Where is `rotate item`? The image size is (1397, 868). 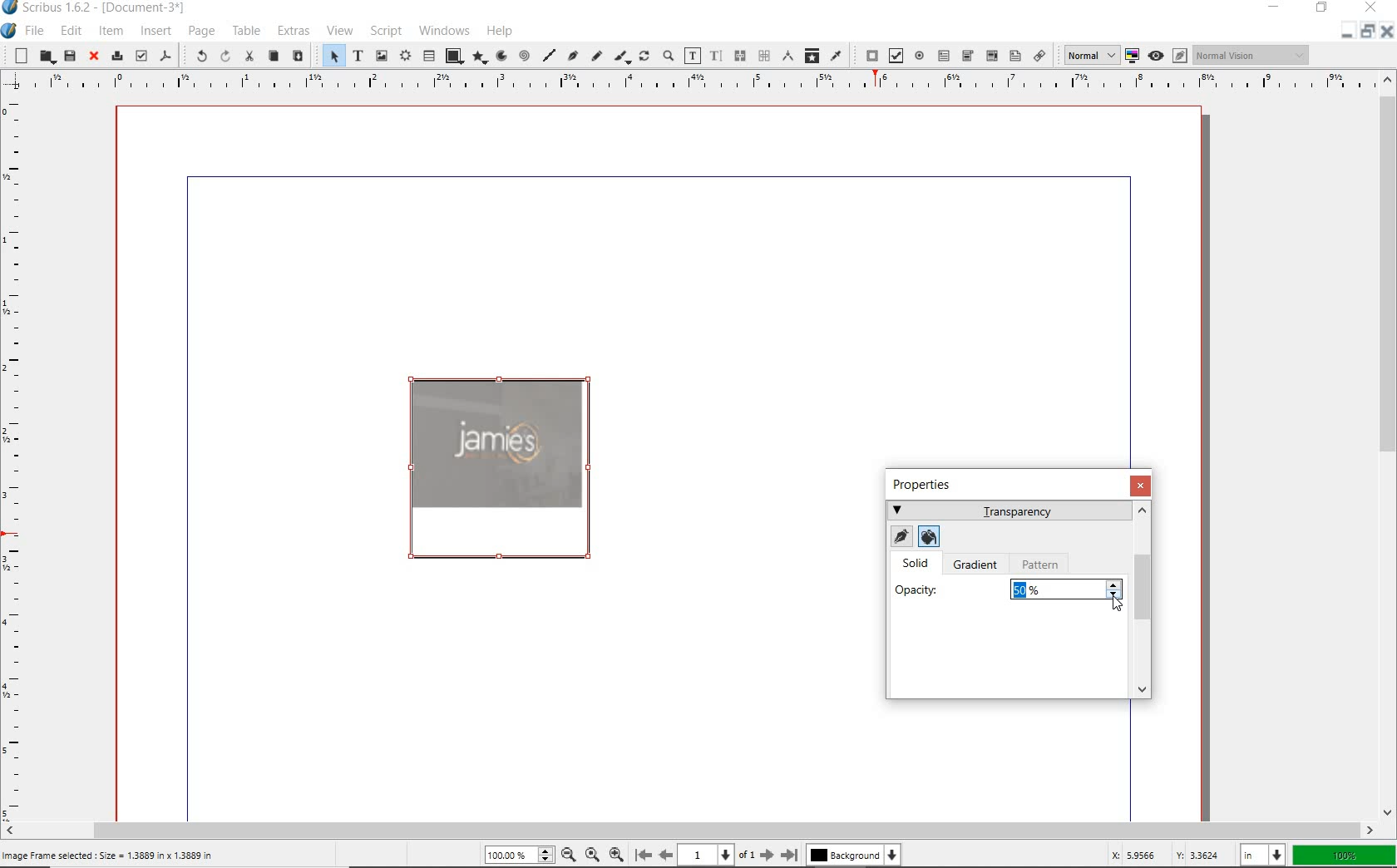
rotate item is located at coordinates (644, 56).